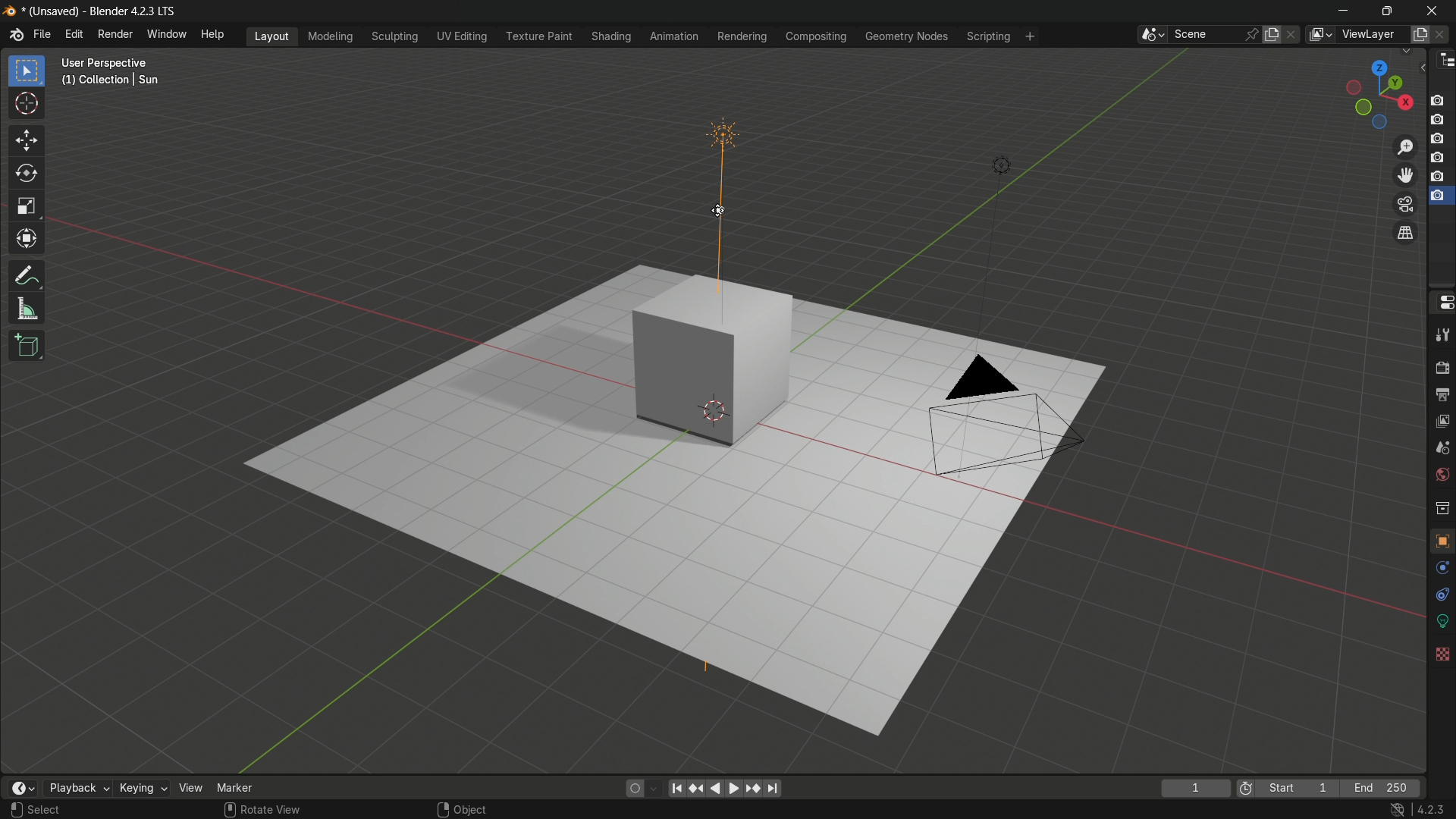 The height and width of the screenshot is (819, 1456). Describe the element at coordinates (1442, 568) in the screenshot. I see `physics` at that location.